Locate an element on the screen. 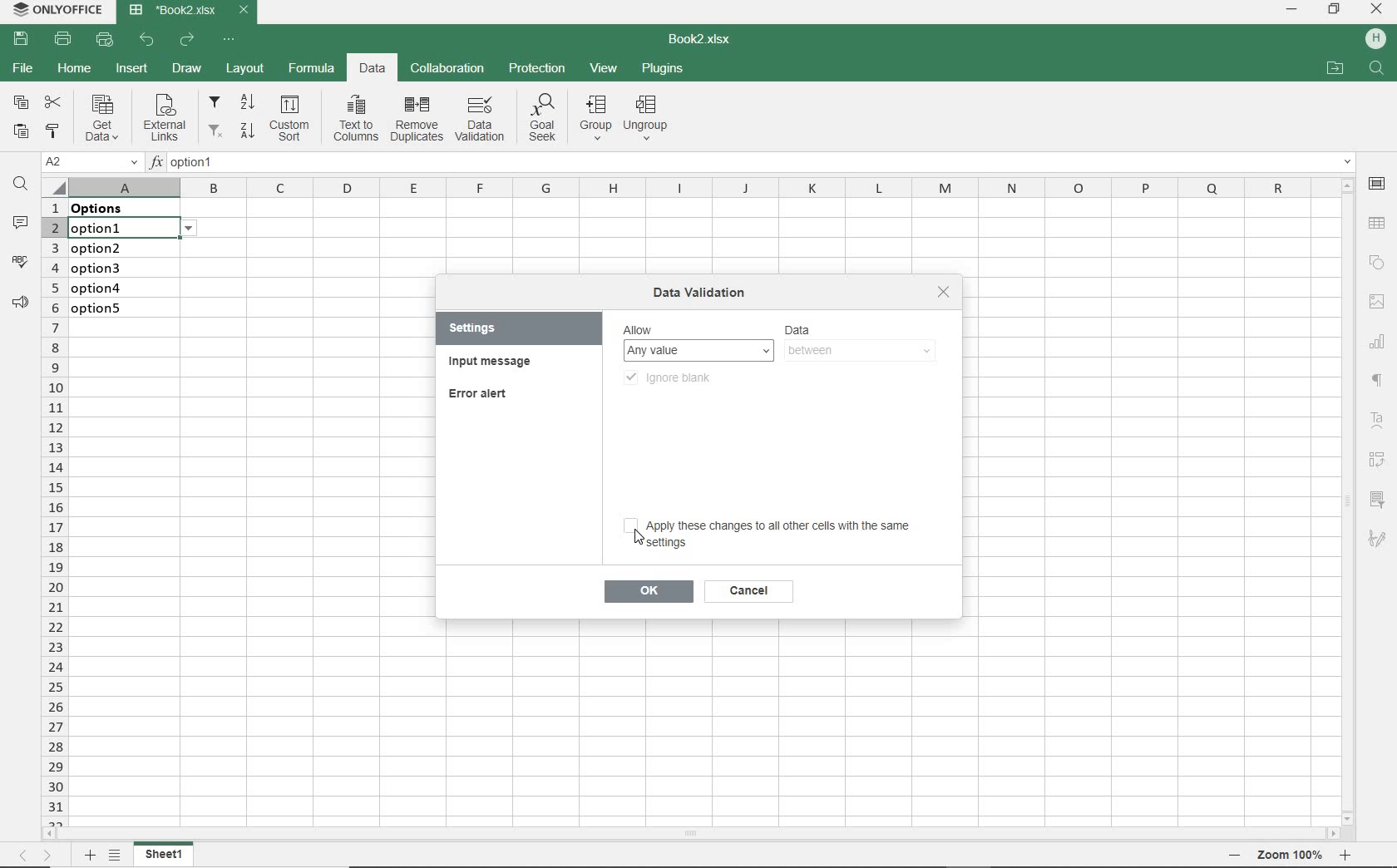 This screenshot has width=1397, height=868. SHAPE is located at coordinates (1379, 263).